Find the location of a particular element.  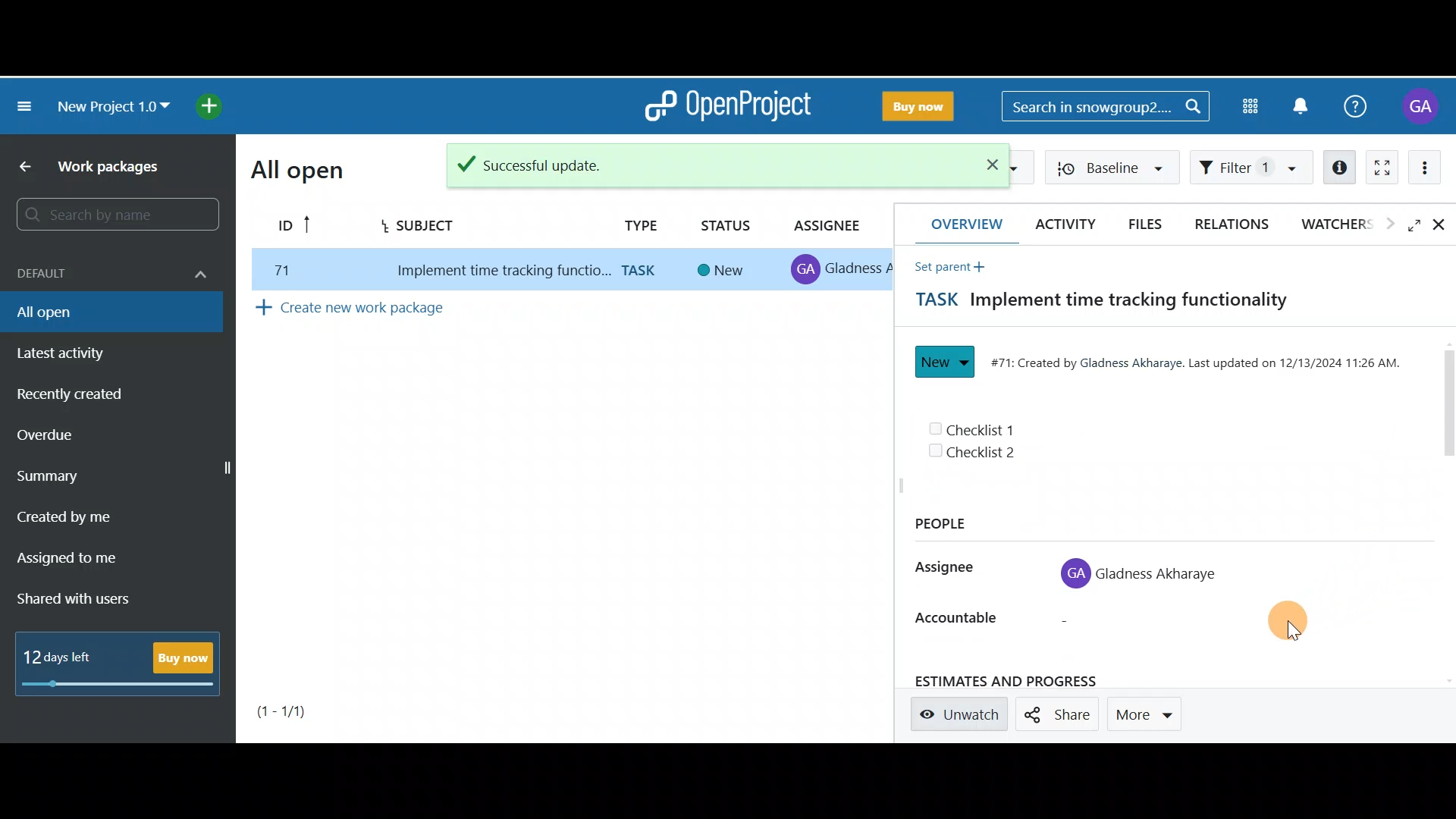

Watchers is located at coordinates (1335, 227).